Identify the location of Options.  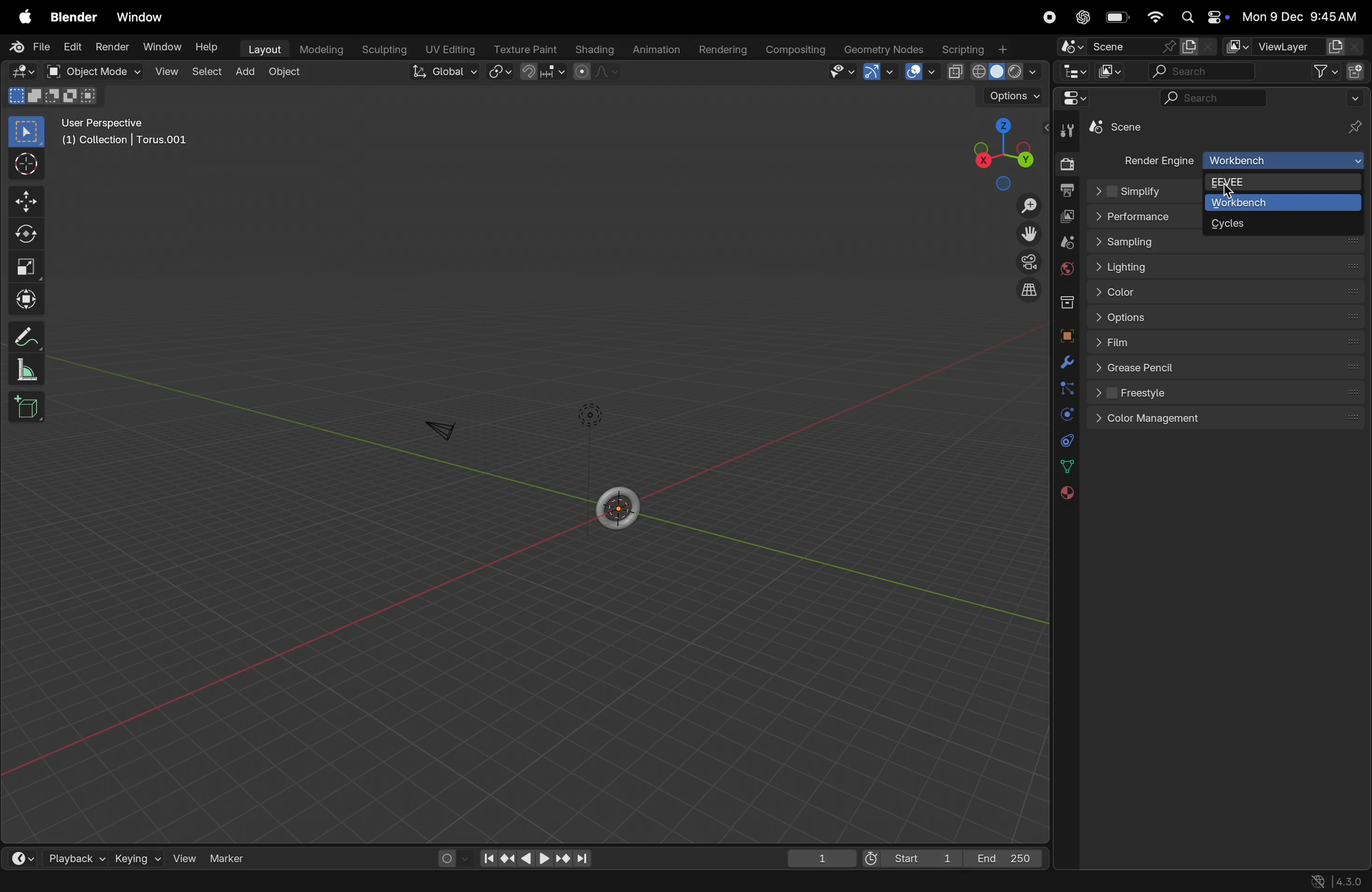
(1009, 96).